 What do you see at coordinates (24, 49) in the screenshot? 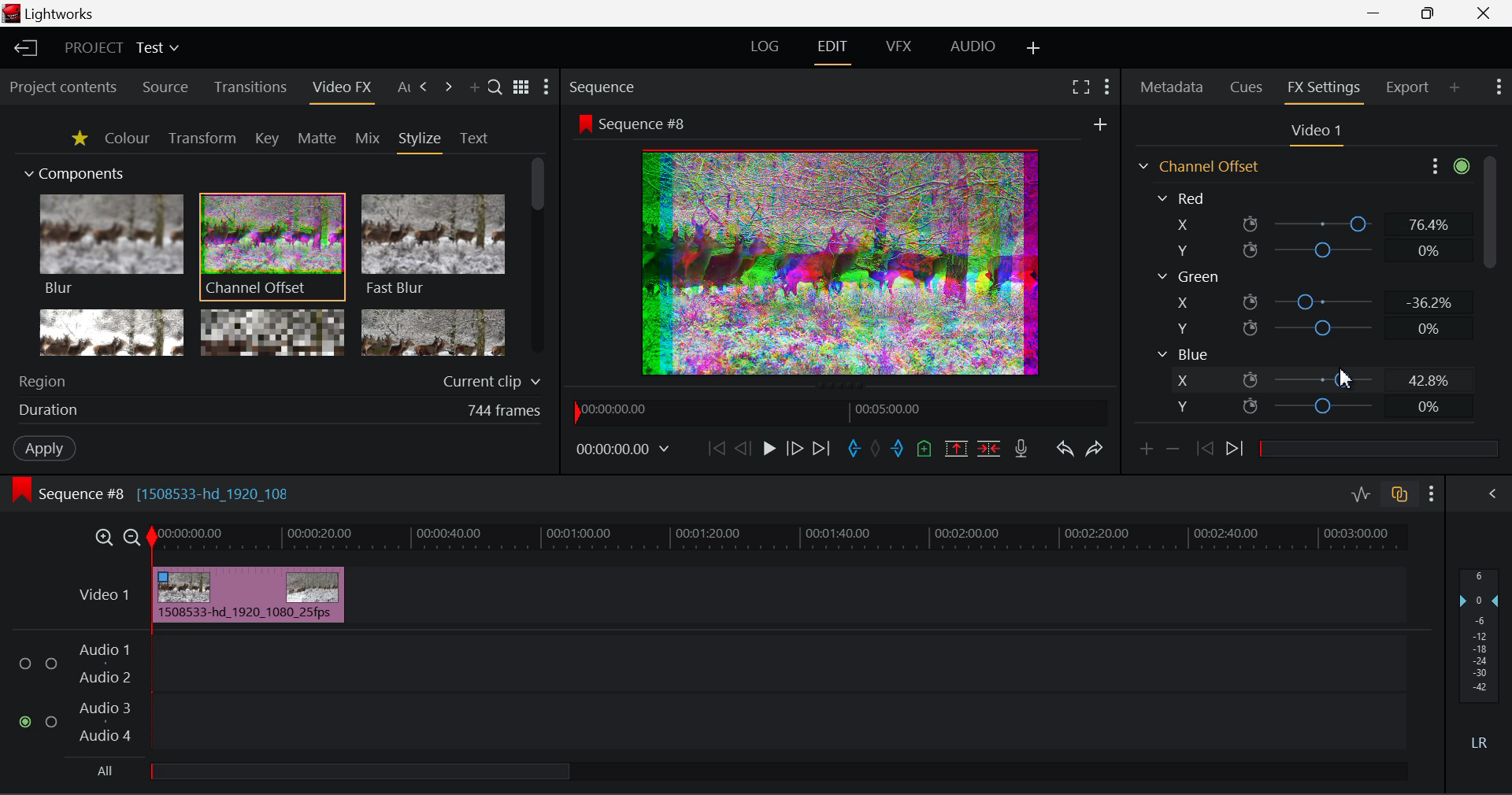
I see `Back to Homepage` at bounding box center [24, 49].